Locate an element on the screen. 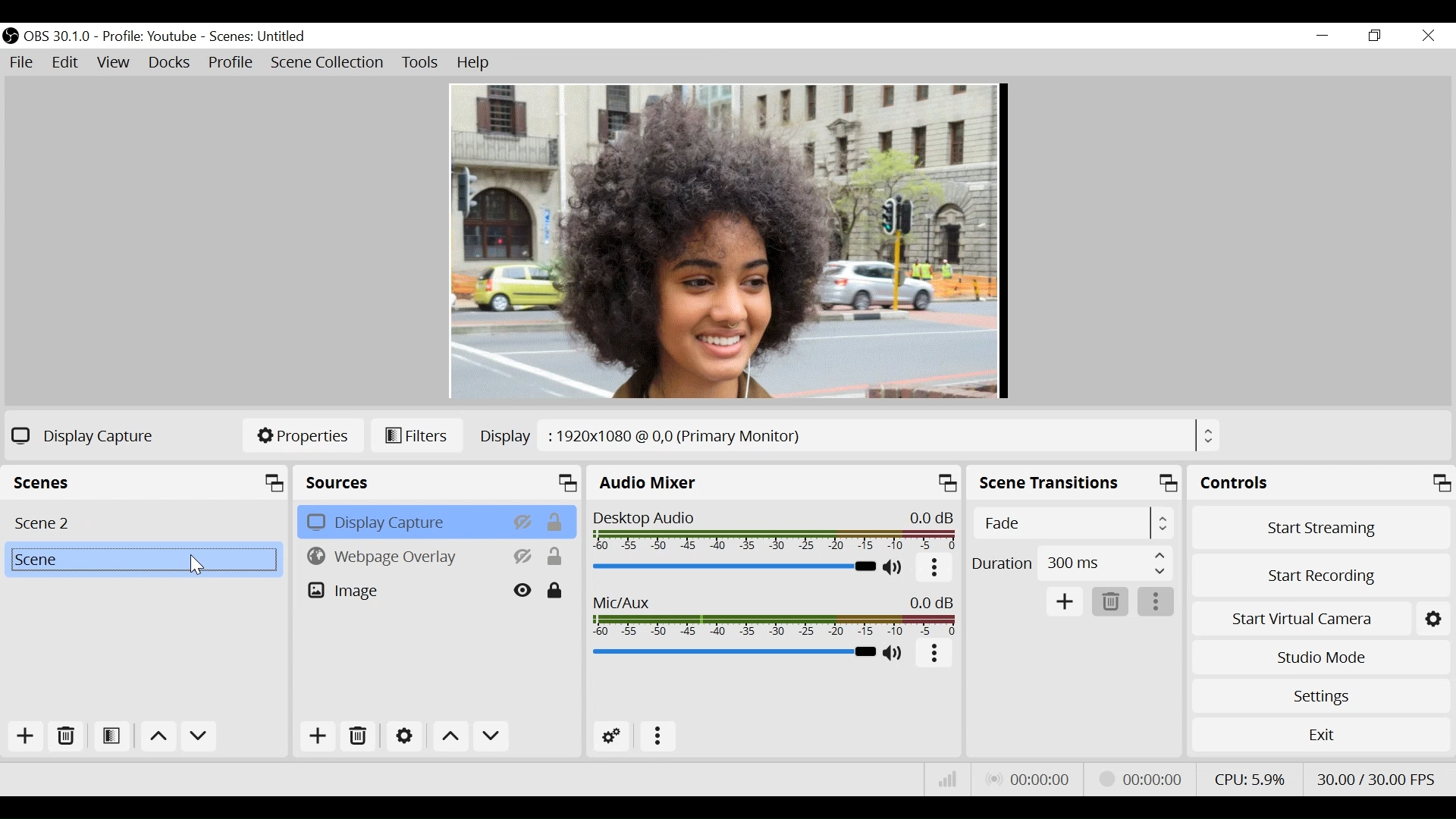 This screenshot has height=819, width=1456. (un)lock is located at coordinates (556, 521).